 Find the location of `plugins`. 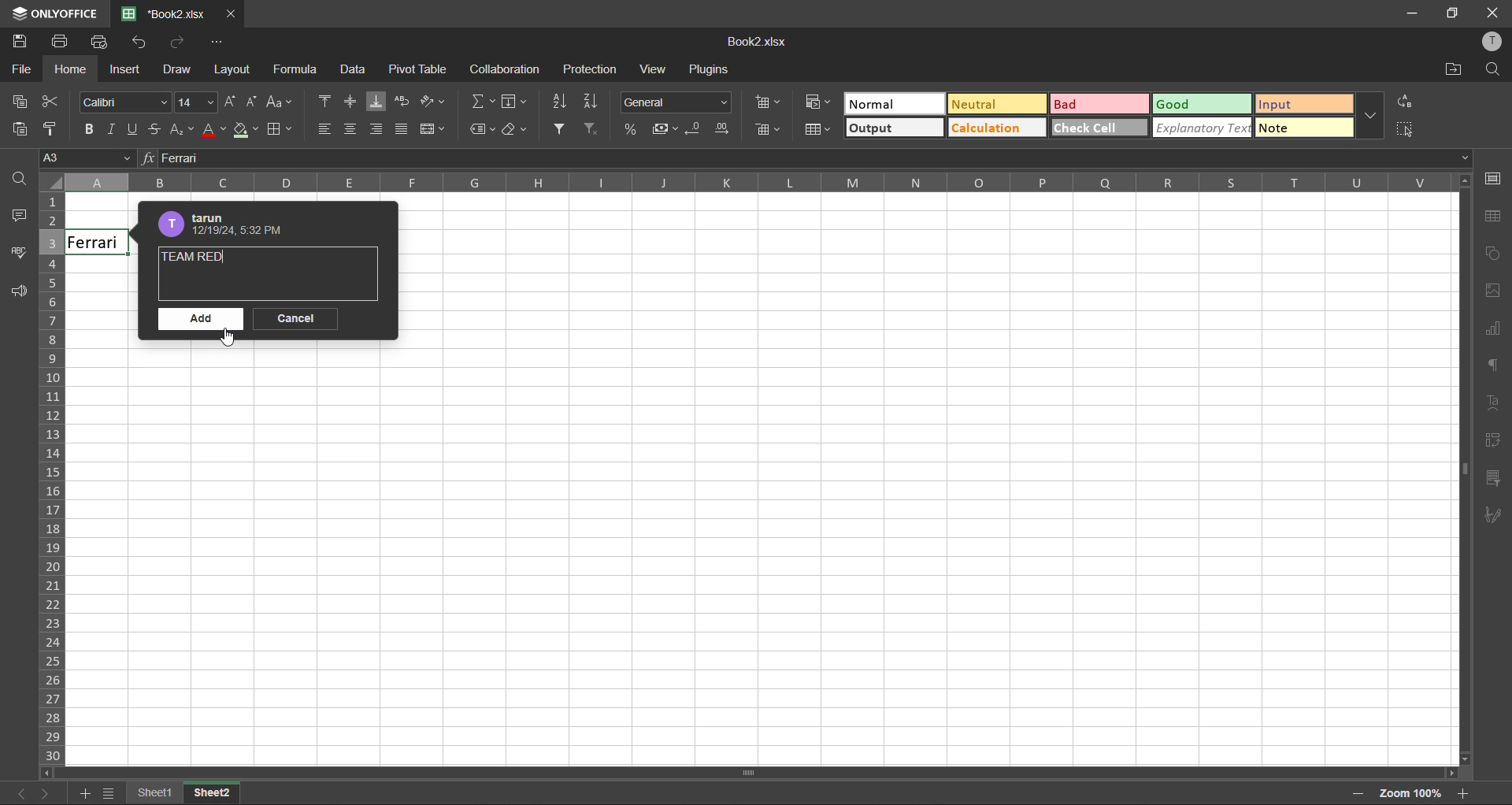

plugins is located at coordinates (713, 70).